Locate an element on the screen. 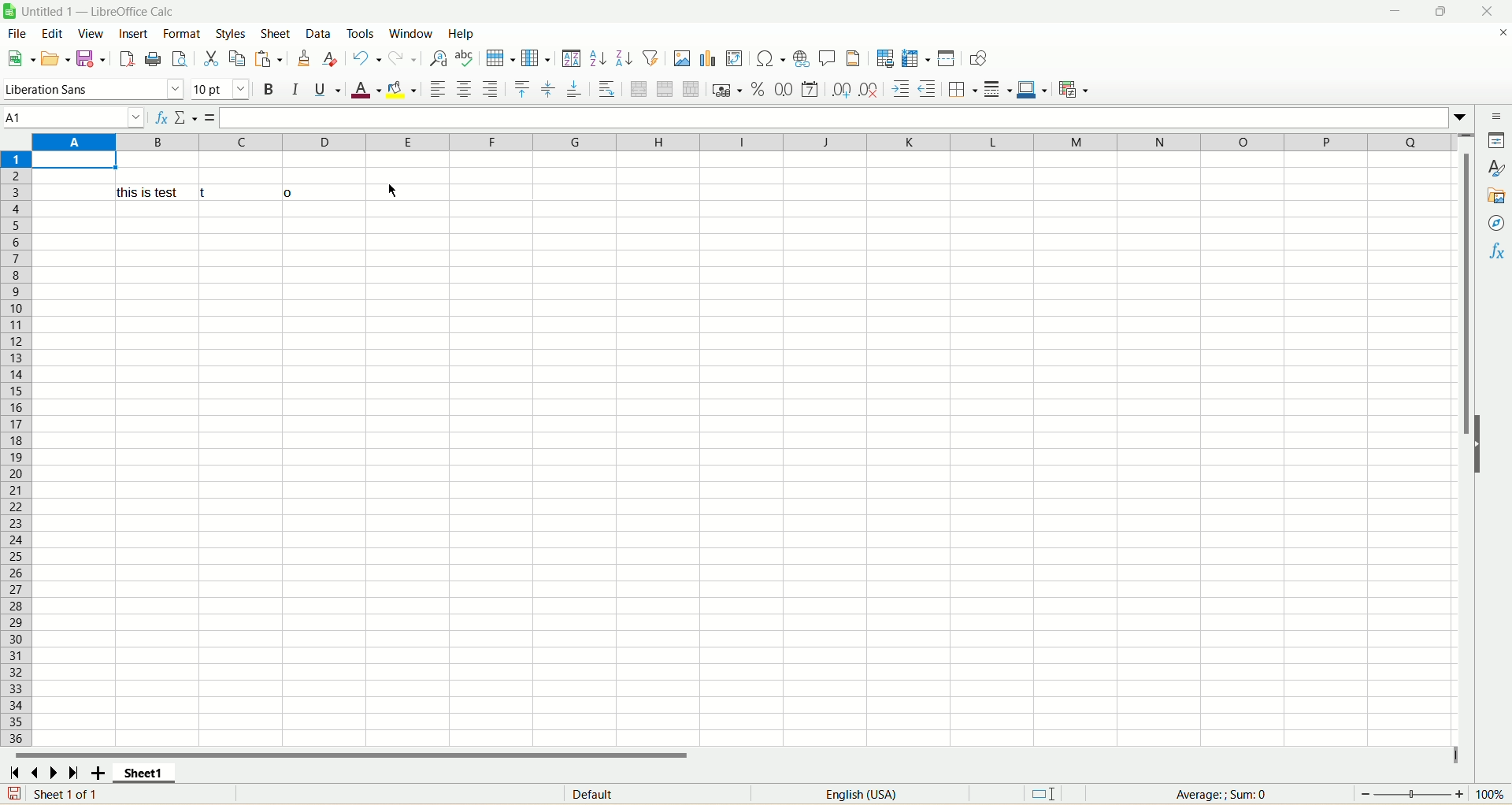 This screenshot has width=1512, height=805. align top is located at coordinates (521, 89).